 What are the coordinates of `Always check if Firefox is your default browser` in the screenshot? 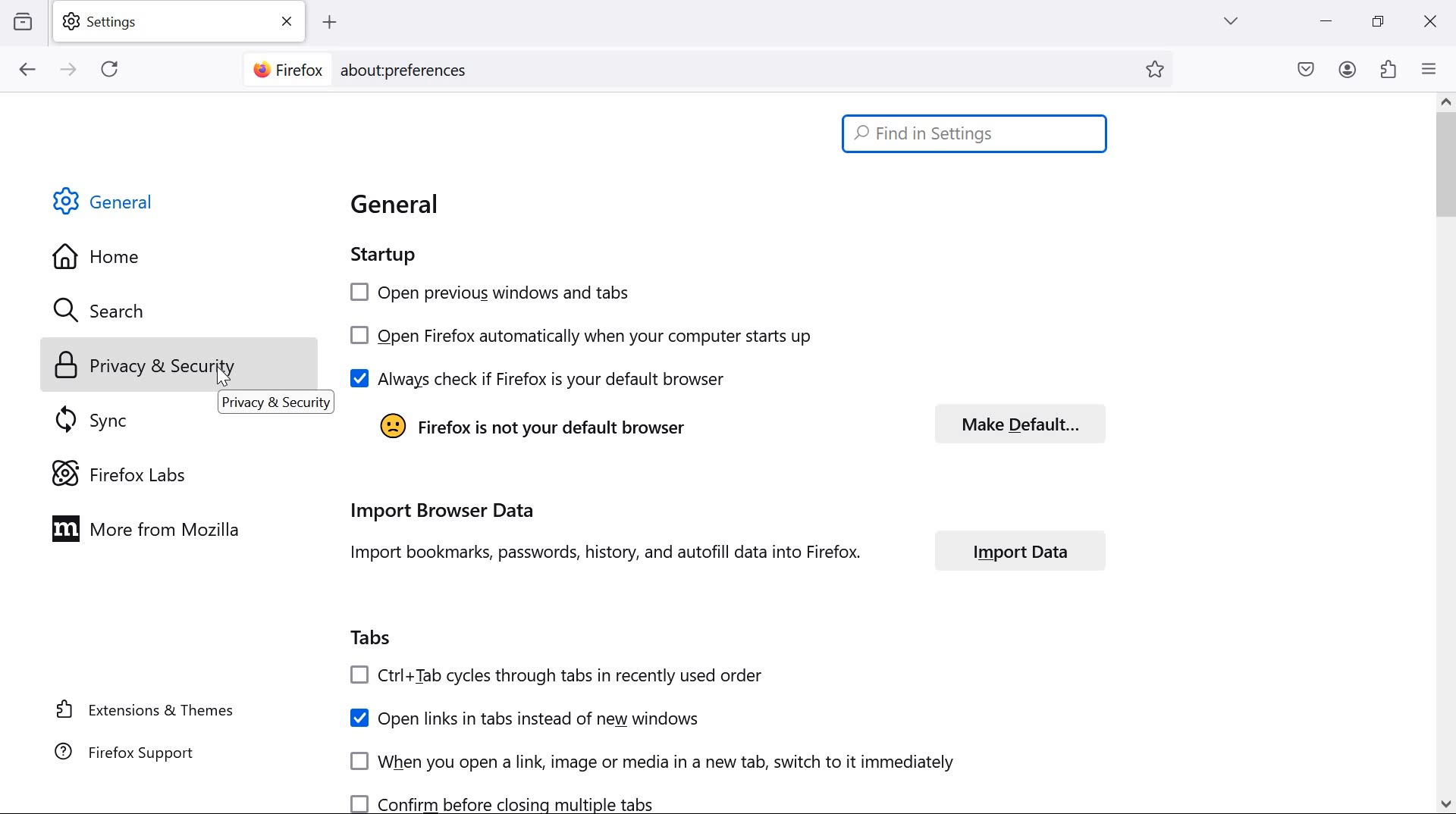 It's located at (536, 377).